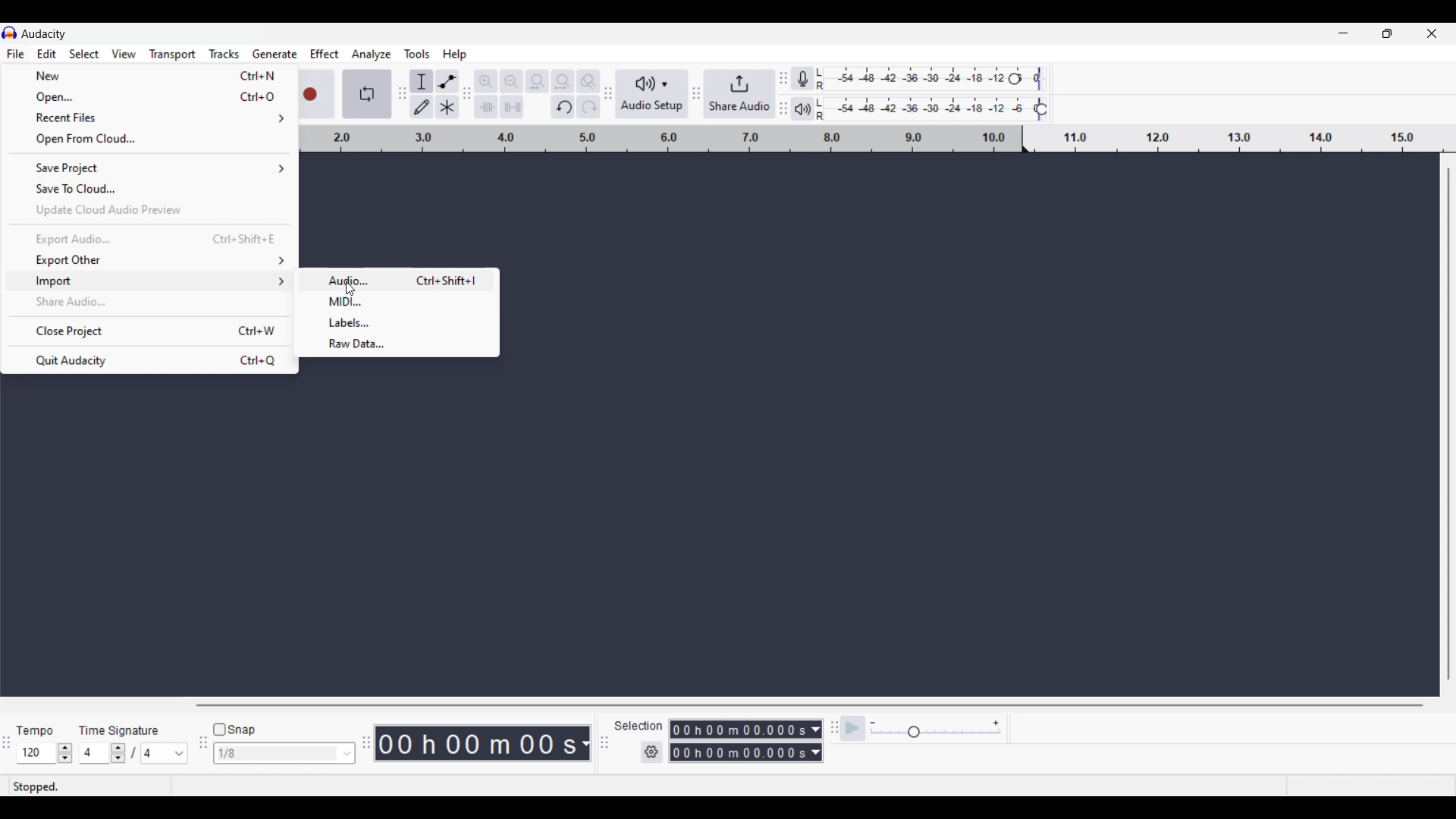 This screenshot has height=819, width=1456. I want to click on Record meter, so click(813, 78).